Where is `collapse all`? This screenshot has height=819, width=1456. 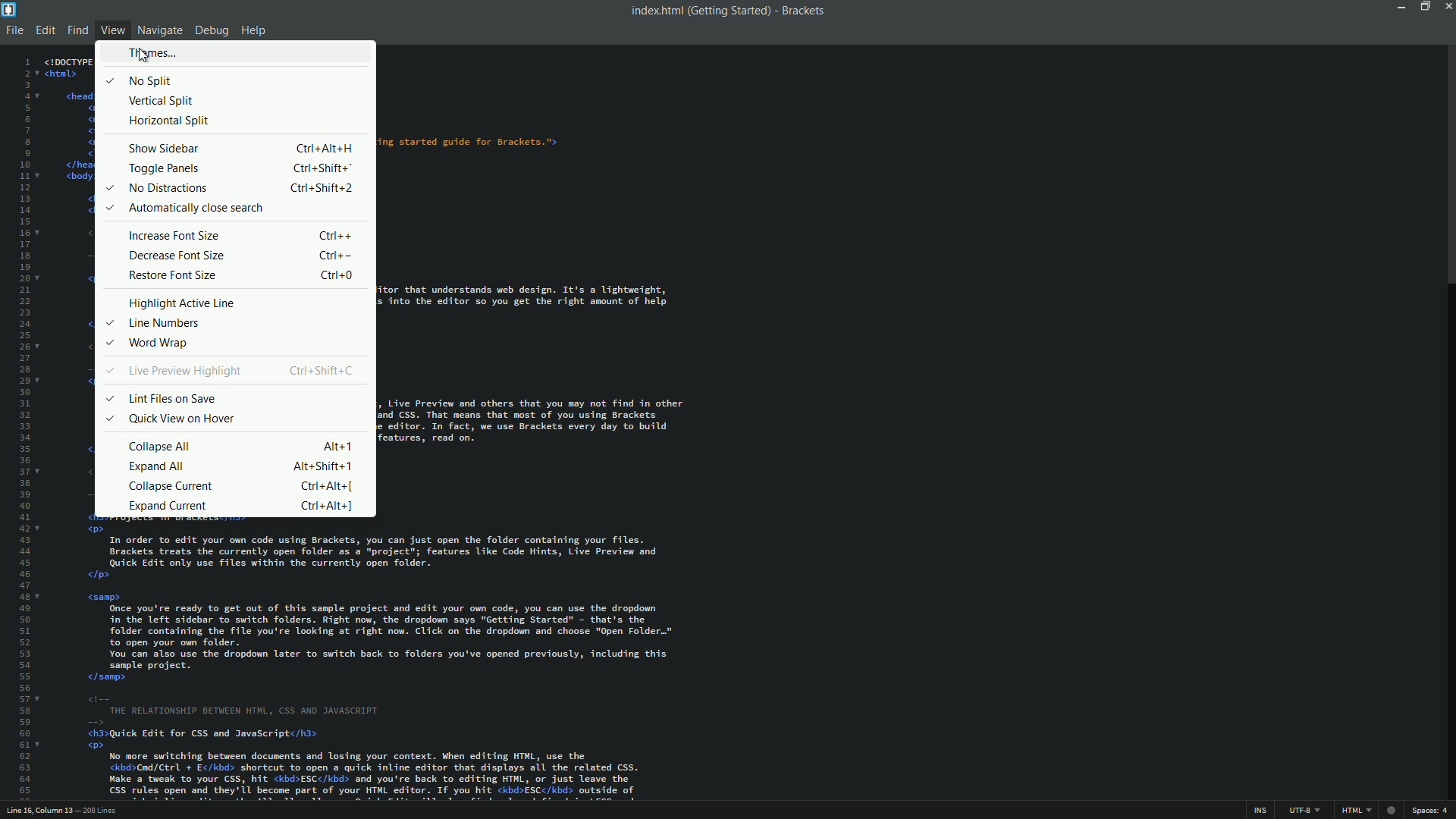 collapse all is located at coordinates (161, 446).